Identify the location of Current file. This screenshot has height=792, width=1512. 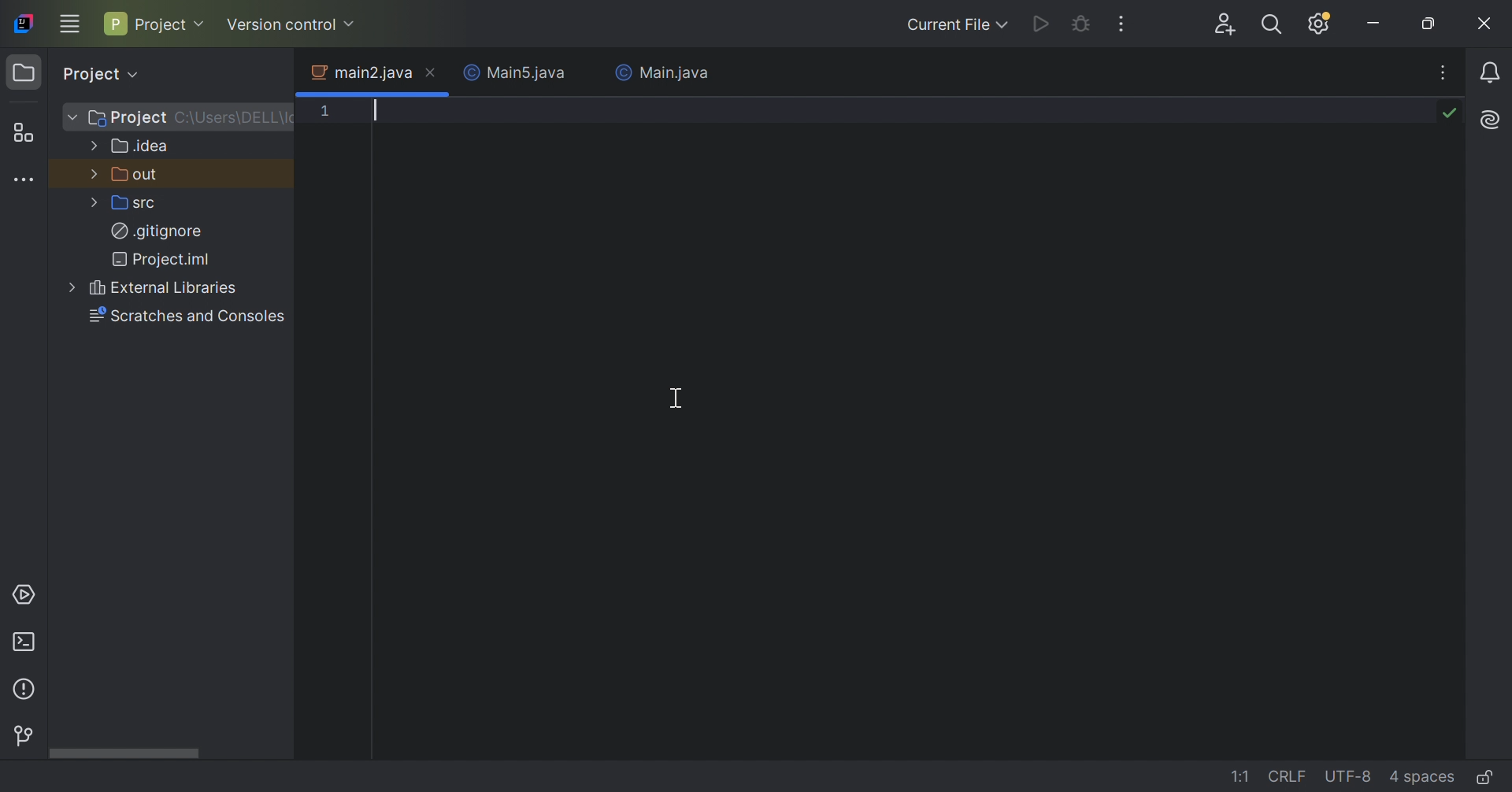
(952, 25).